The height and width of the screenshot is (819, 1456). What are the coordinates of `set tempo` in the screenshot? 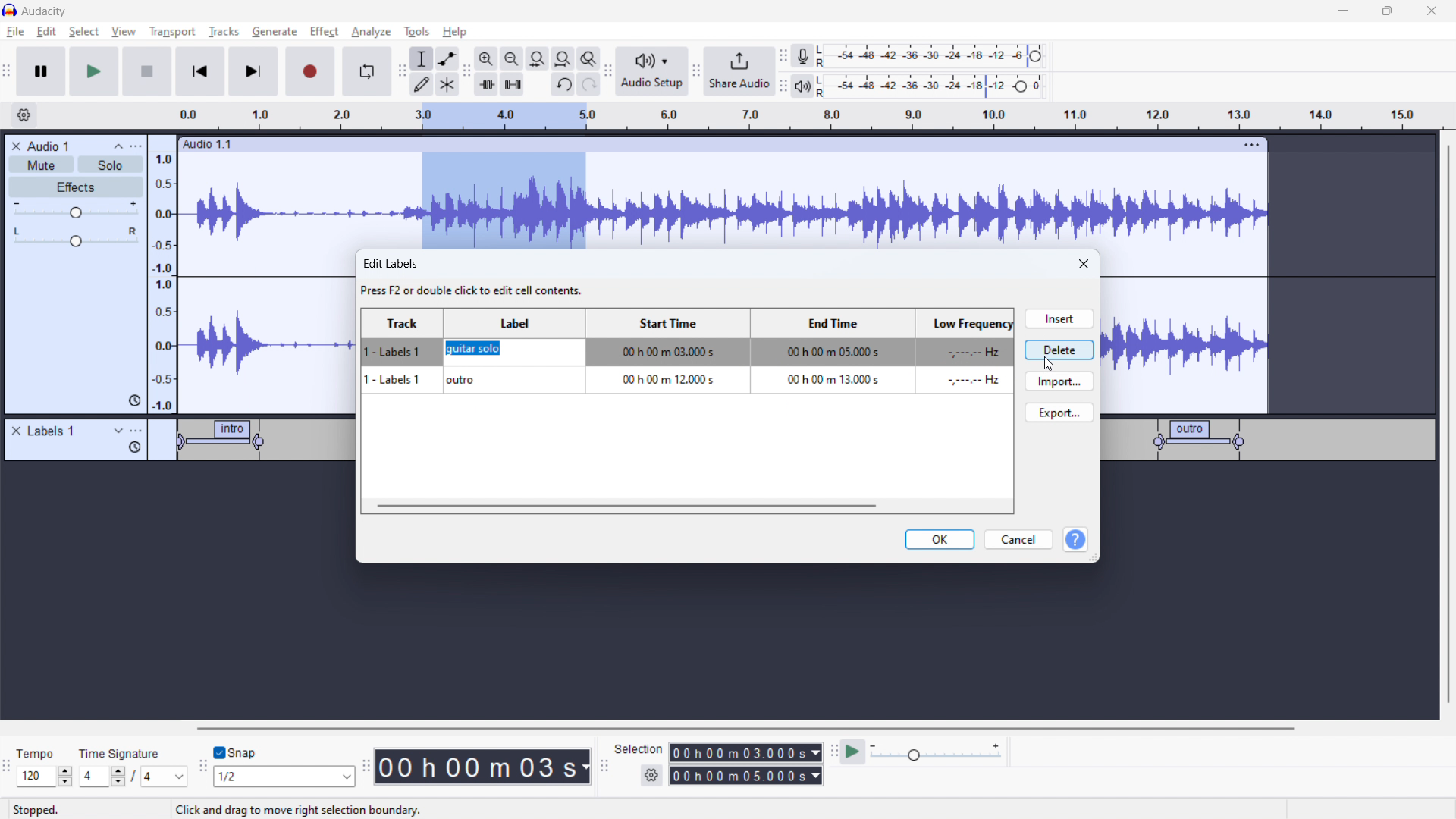 It's located at (47, 777).